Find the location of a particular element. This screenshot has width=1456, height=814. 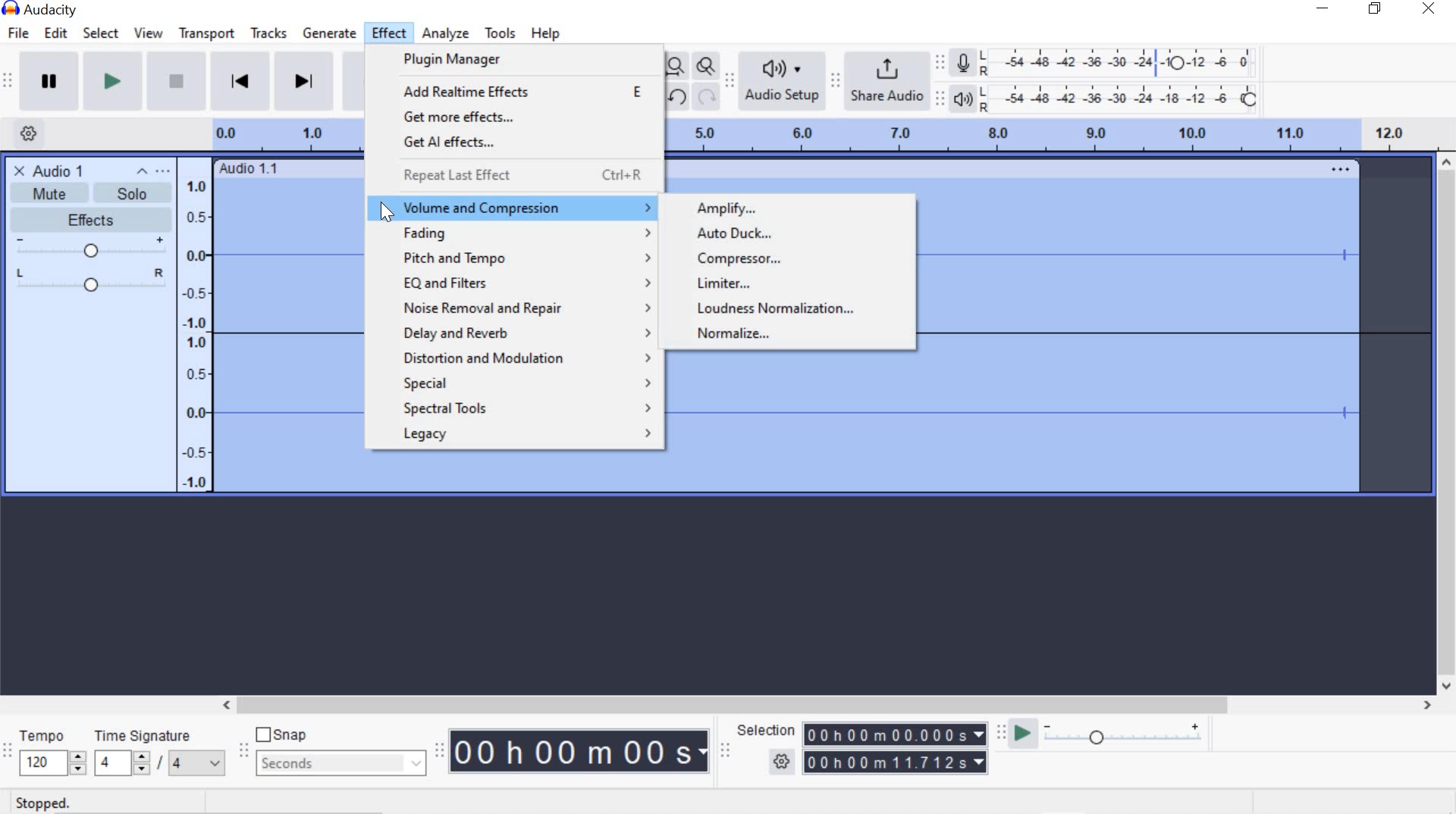

Audio setup toolbar is located at coordinates (730, 82).